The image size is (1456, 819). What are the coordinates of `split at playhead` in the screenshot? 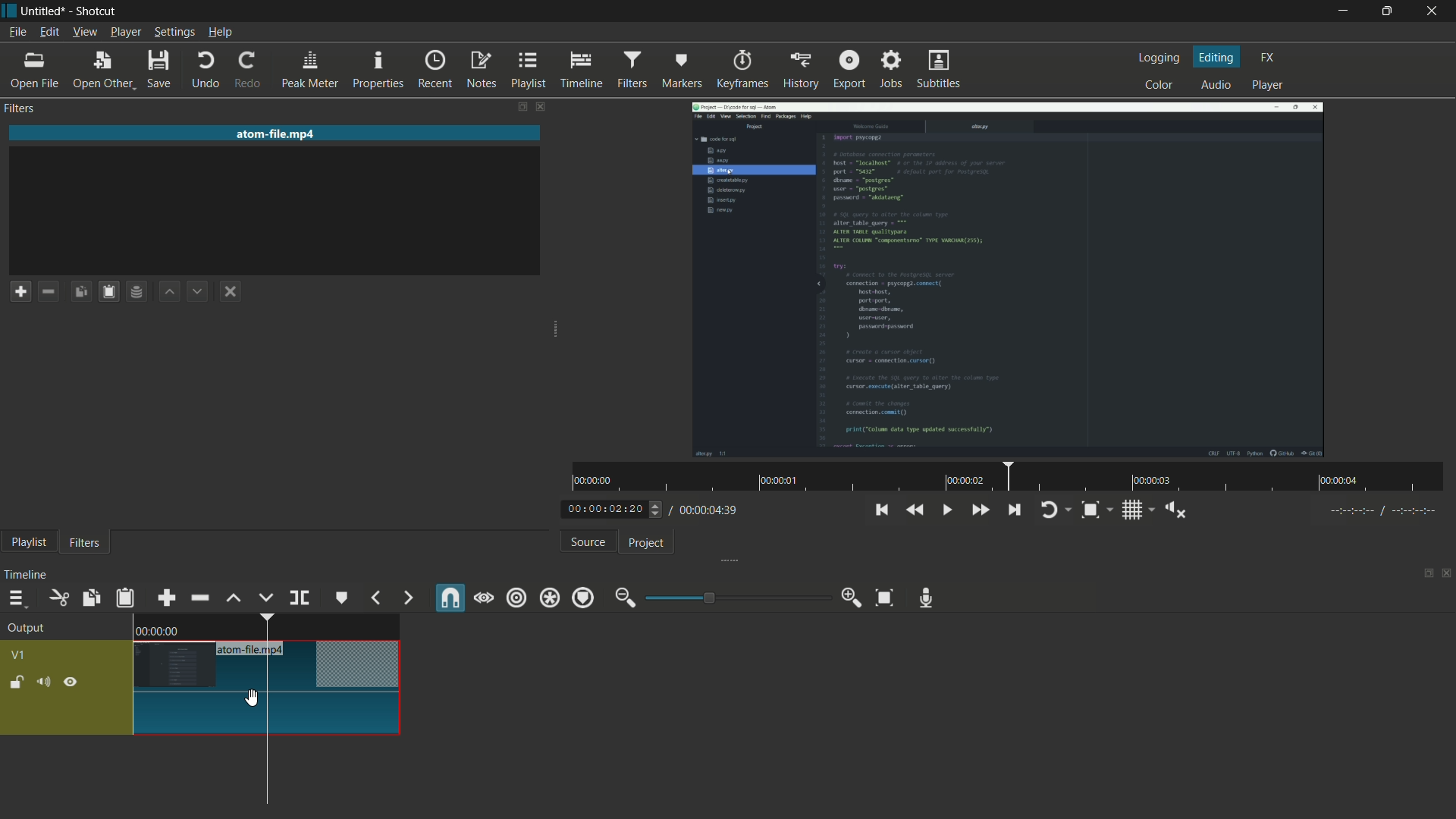 It's located at (297, 598).